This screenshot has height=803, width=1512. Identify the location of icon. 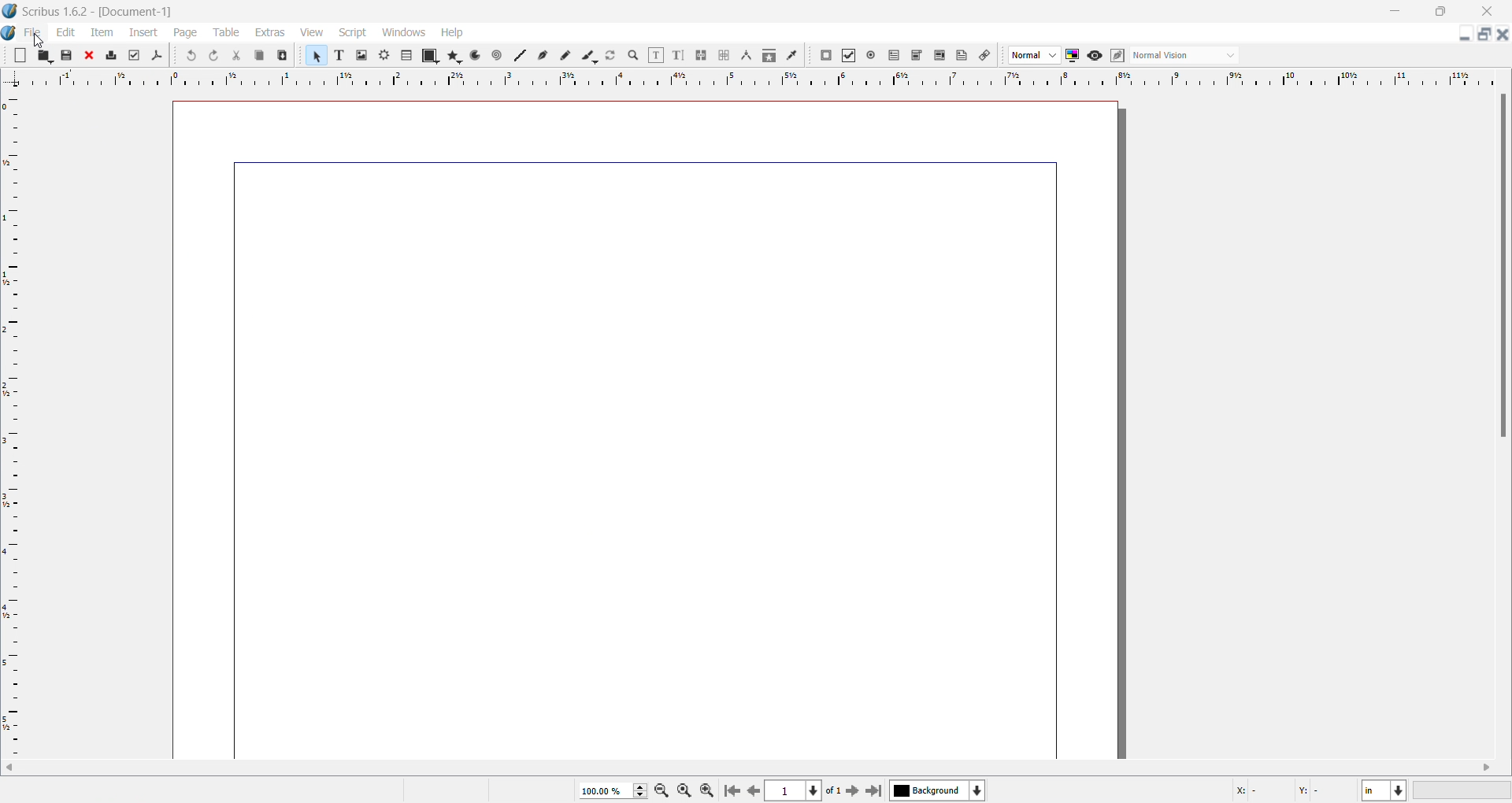
(455, 54).